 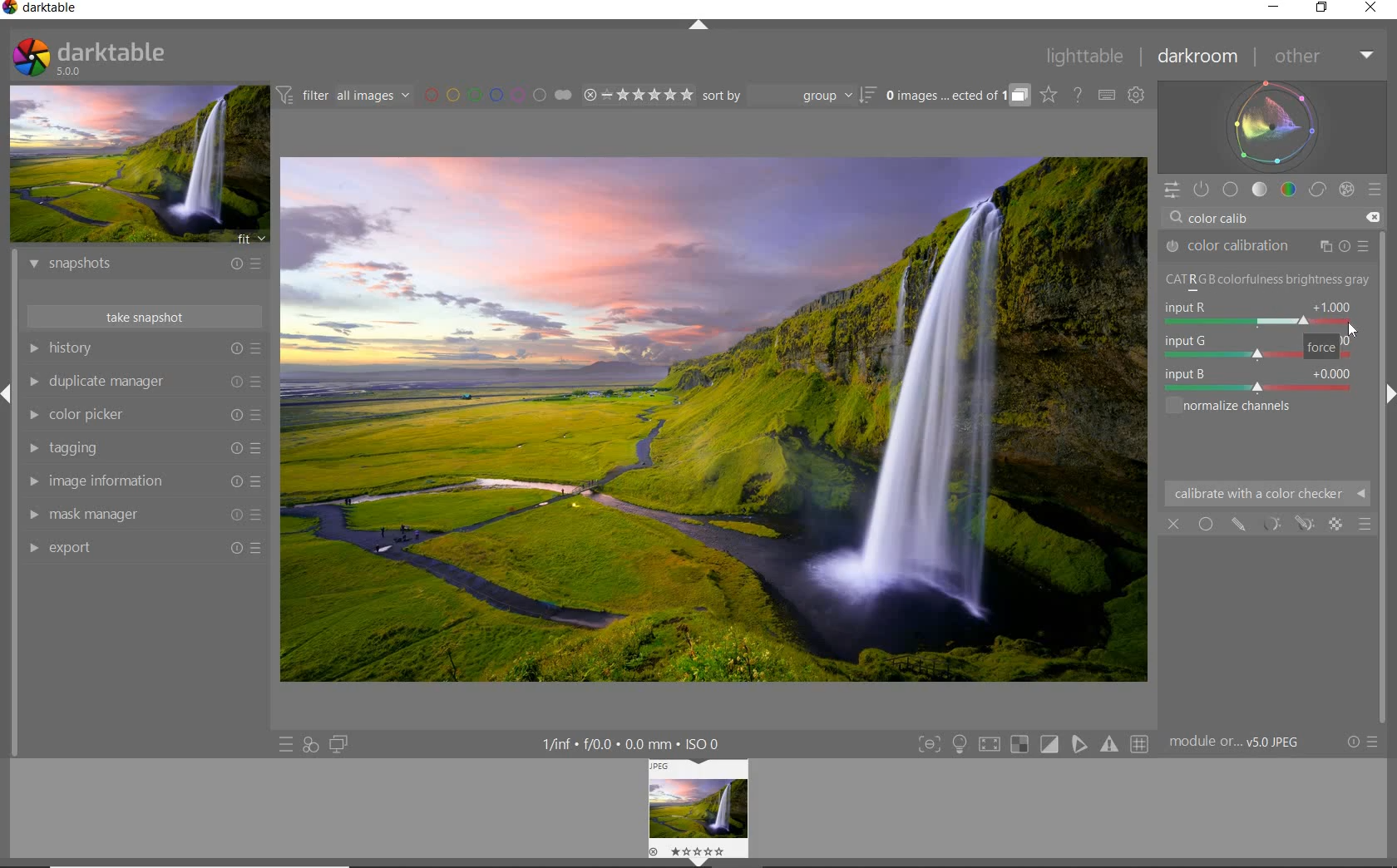 I want to click on DELETE, so click(x=1372, y=218).